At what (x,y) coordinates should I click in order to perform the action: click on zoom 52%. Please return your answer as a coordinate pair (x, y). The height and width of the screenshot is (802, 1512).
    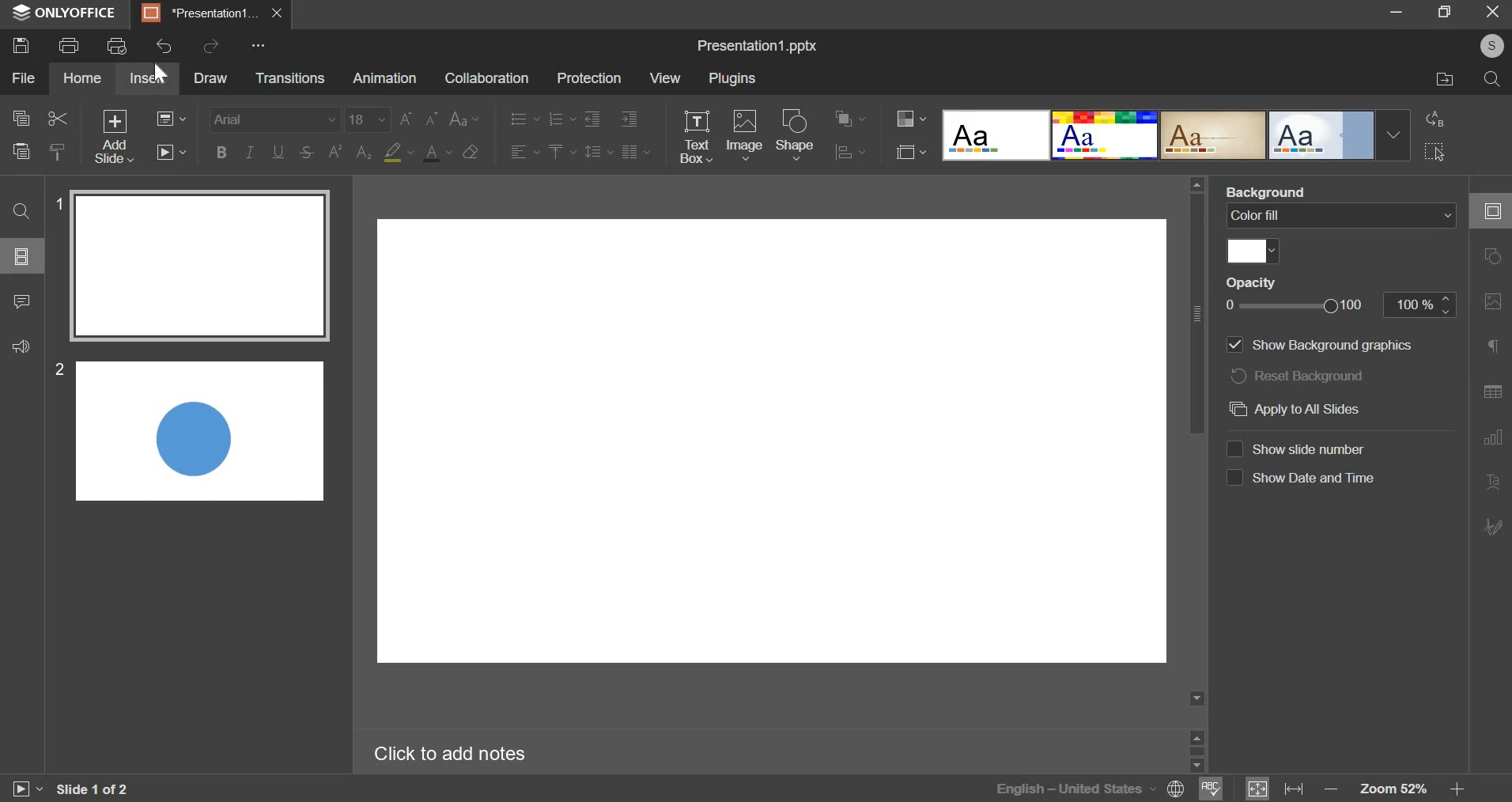
    Looking at the image, I should click on (1390, 785).